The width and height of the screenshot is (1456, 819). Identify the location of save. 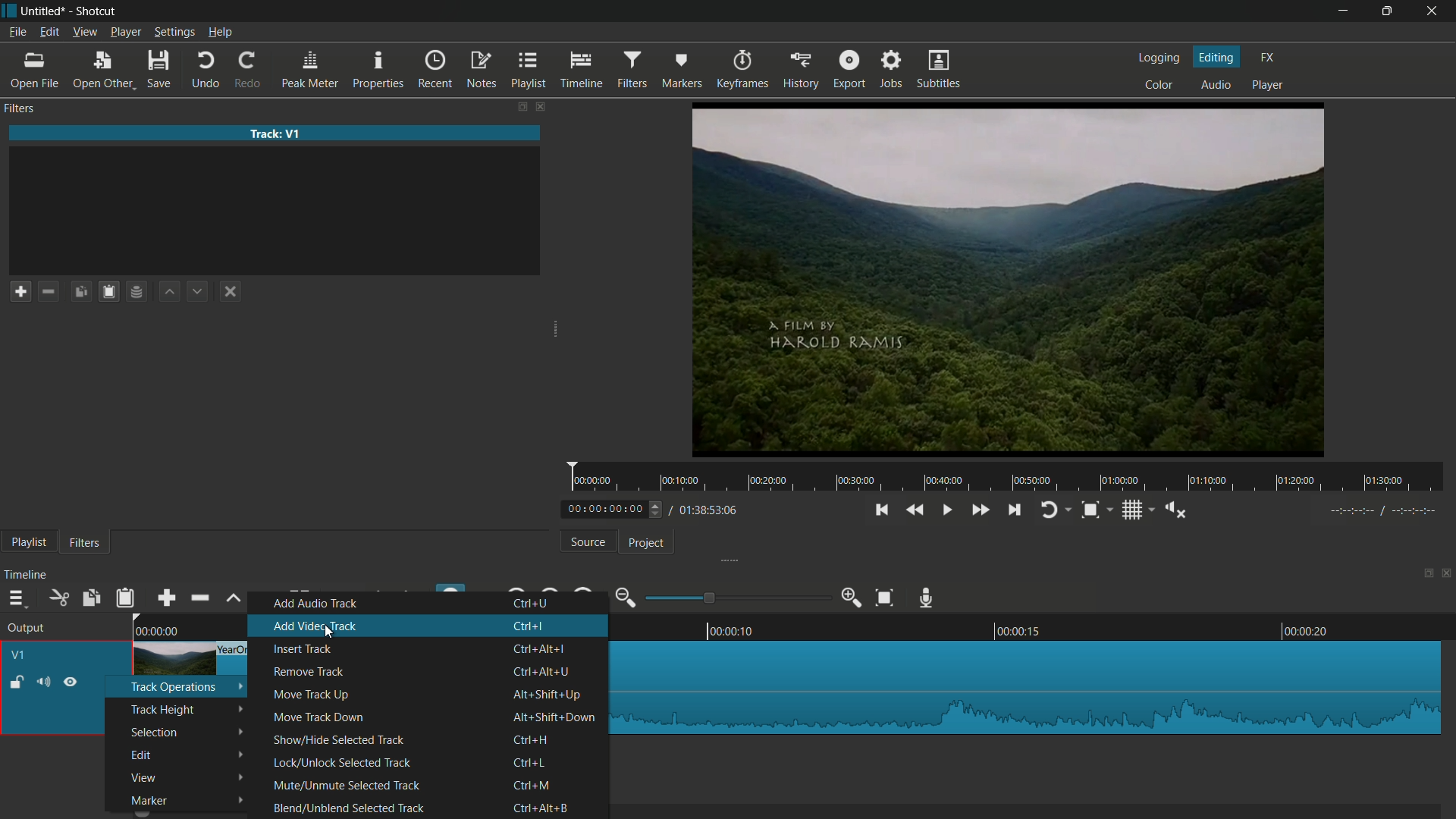
(158, 71).